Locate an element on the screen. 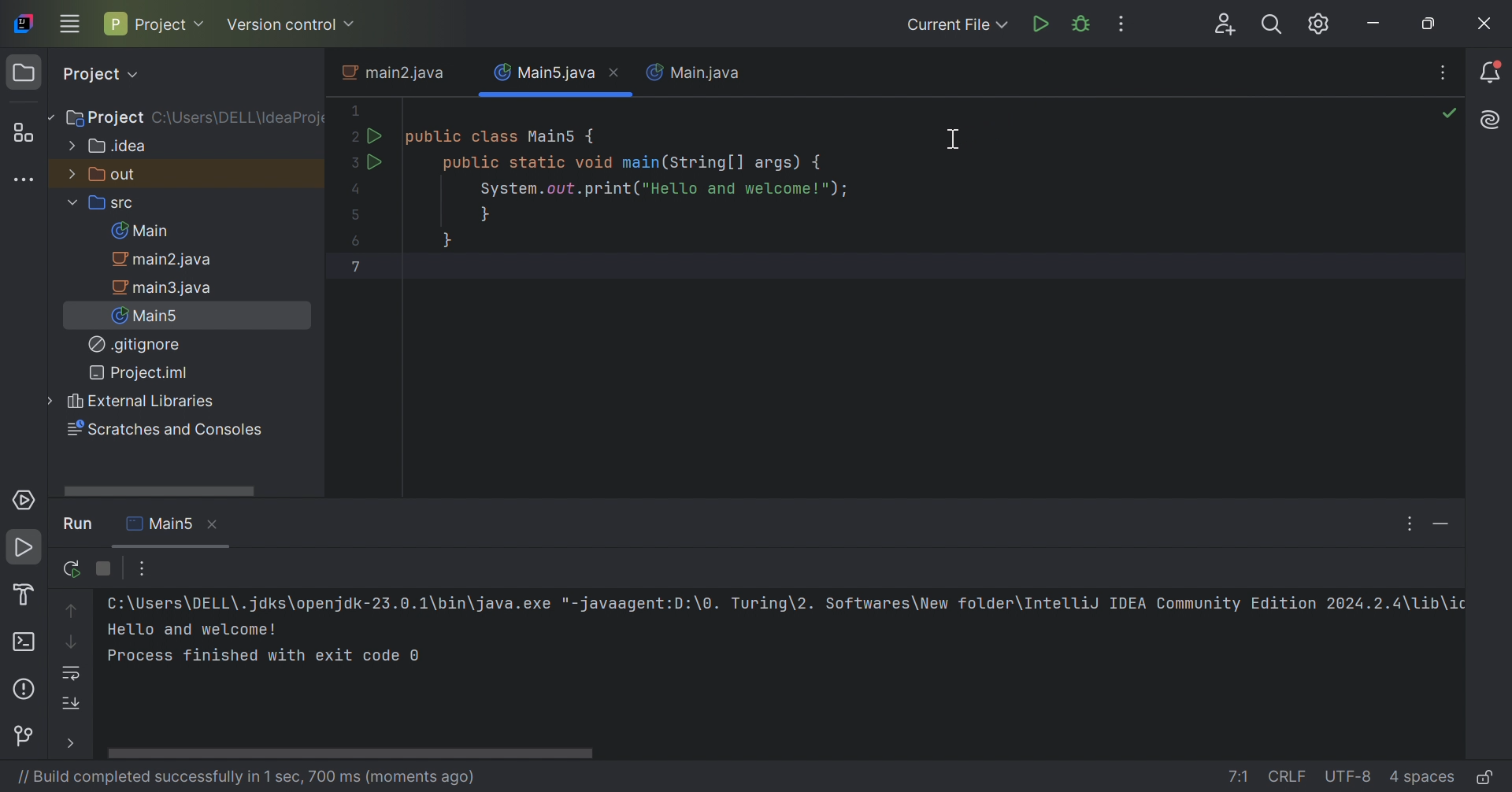 The height and width of the screenshot is (792, 1512). Stop 'Main5' is located at coordinates (106, 568).